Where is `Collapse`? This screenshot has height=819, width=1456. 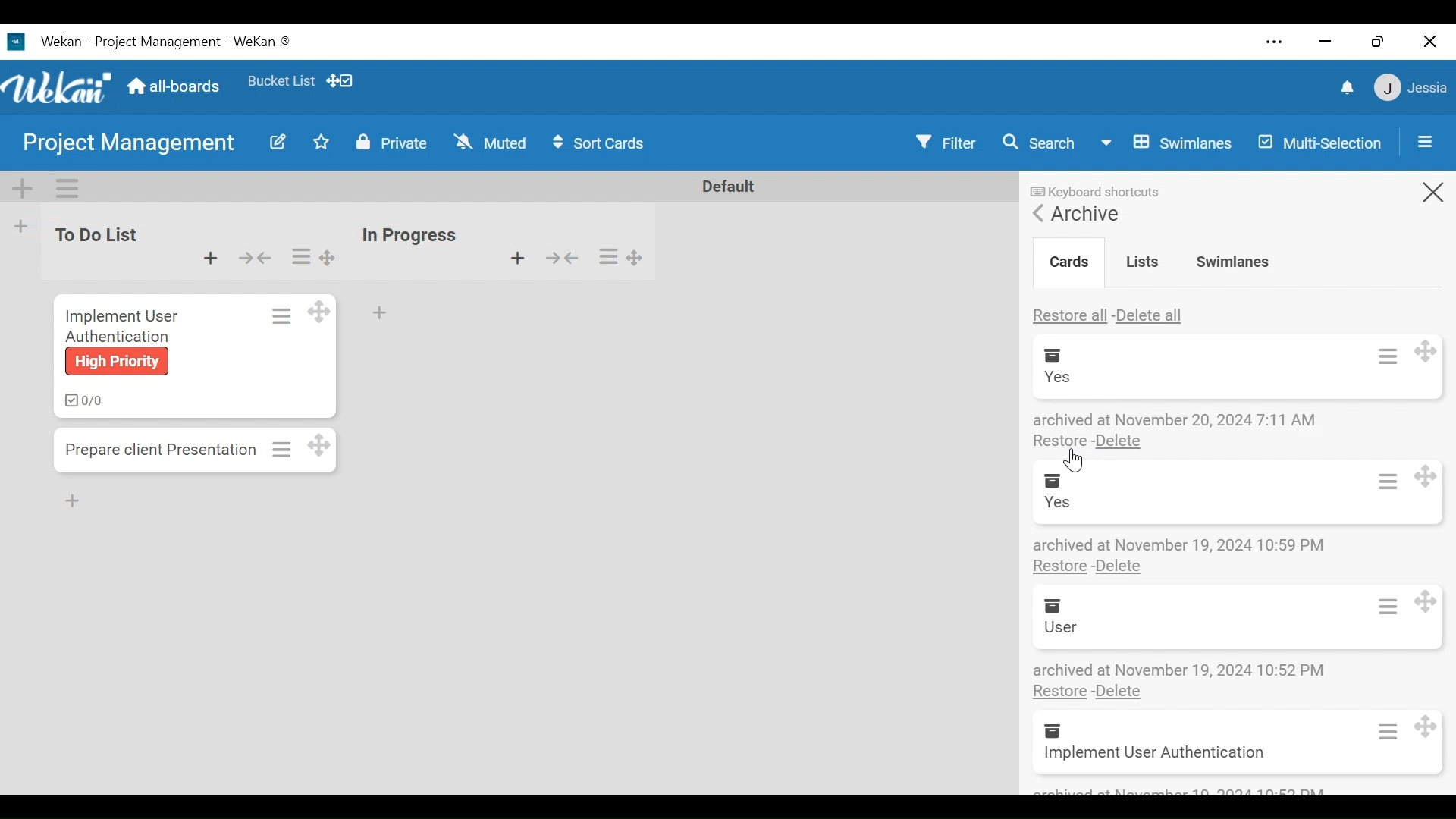
Collapse is located at coordinates (255, 258).